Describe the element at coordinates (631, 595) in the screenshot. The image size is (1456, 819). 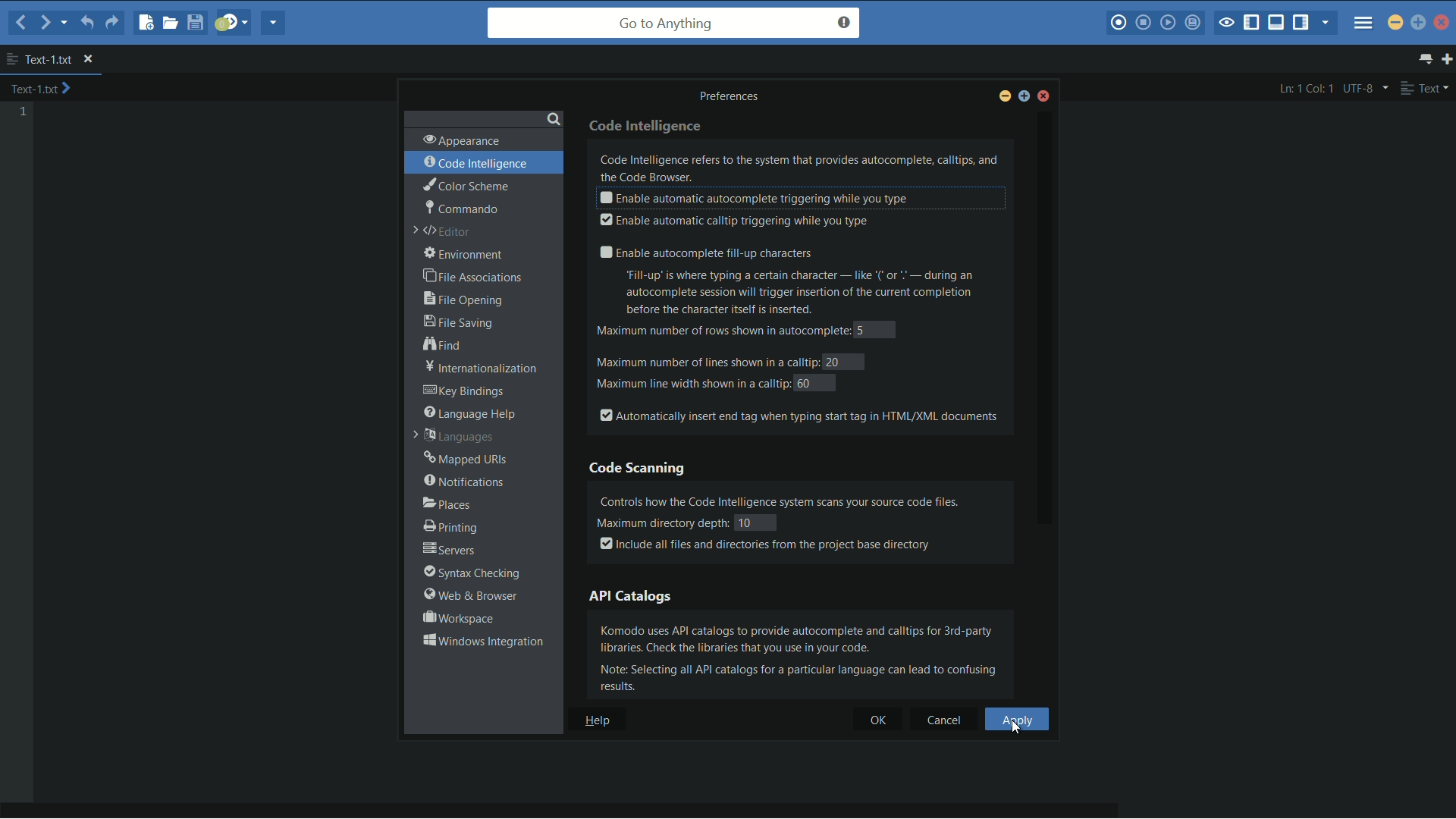
I see `api catalogs` at that location.